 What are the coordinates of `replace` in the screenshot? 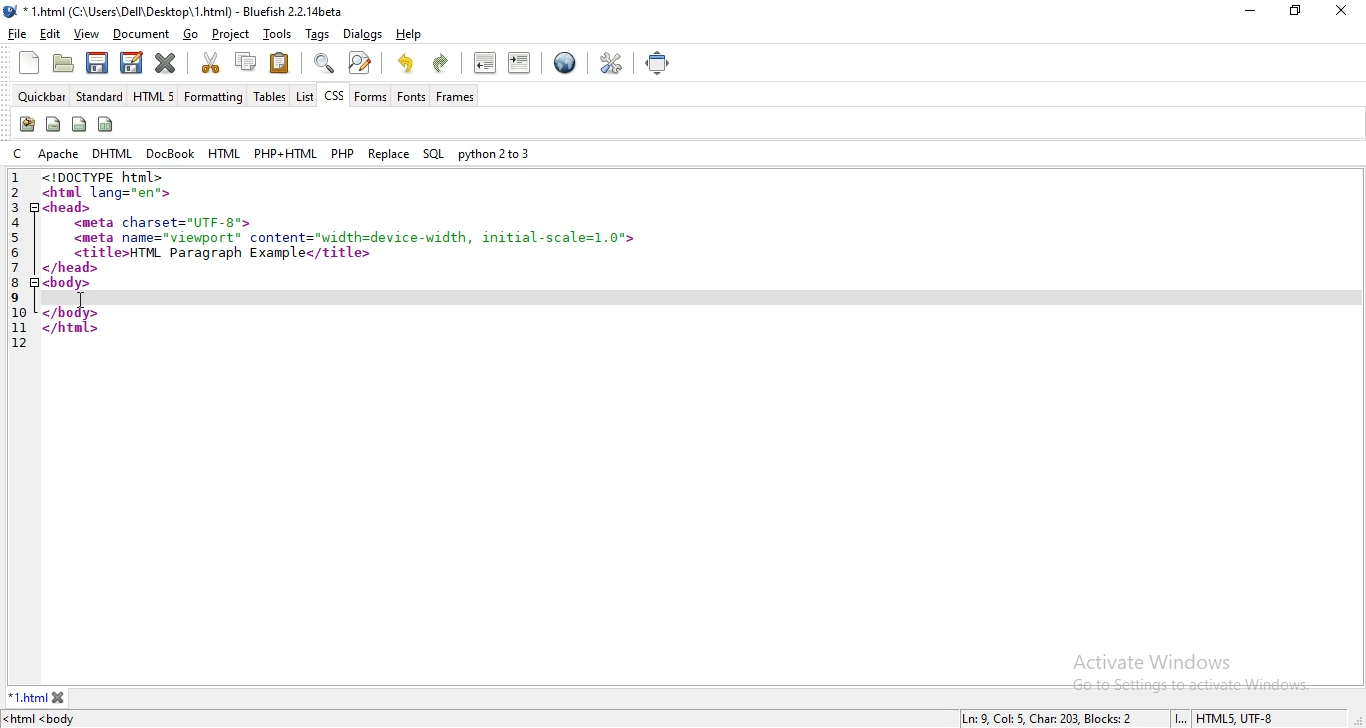 It's located at (389, 153).